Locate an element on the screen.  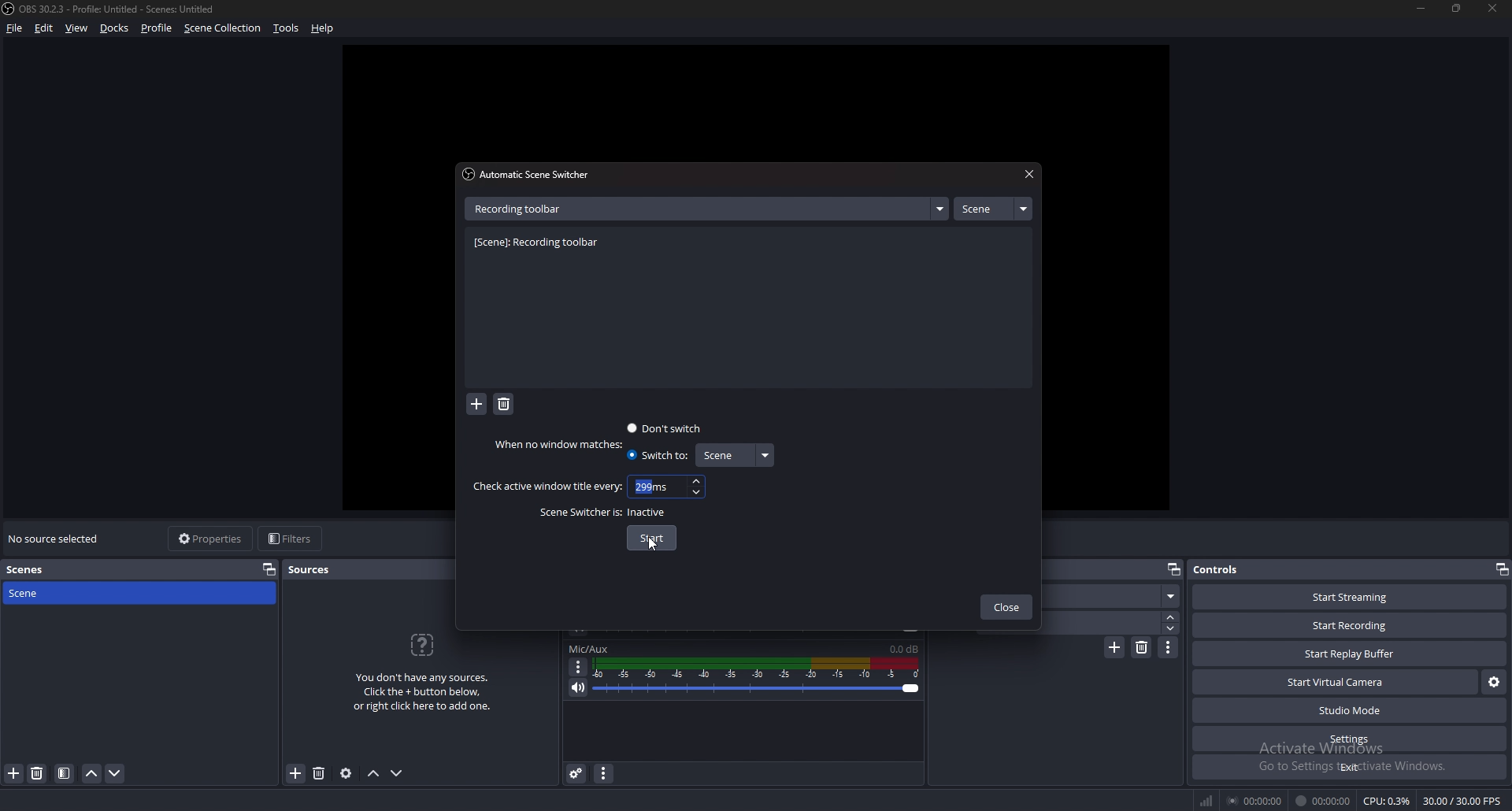
remove transition is located at coordinates (1143, 647).